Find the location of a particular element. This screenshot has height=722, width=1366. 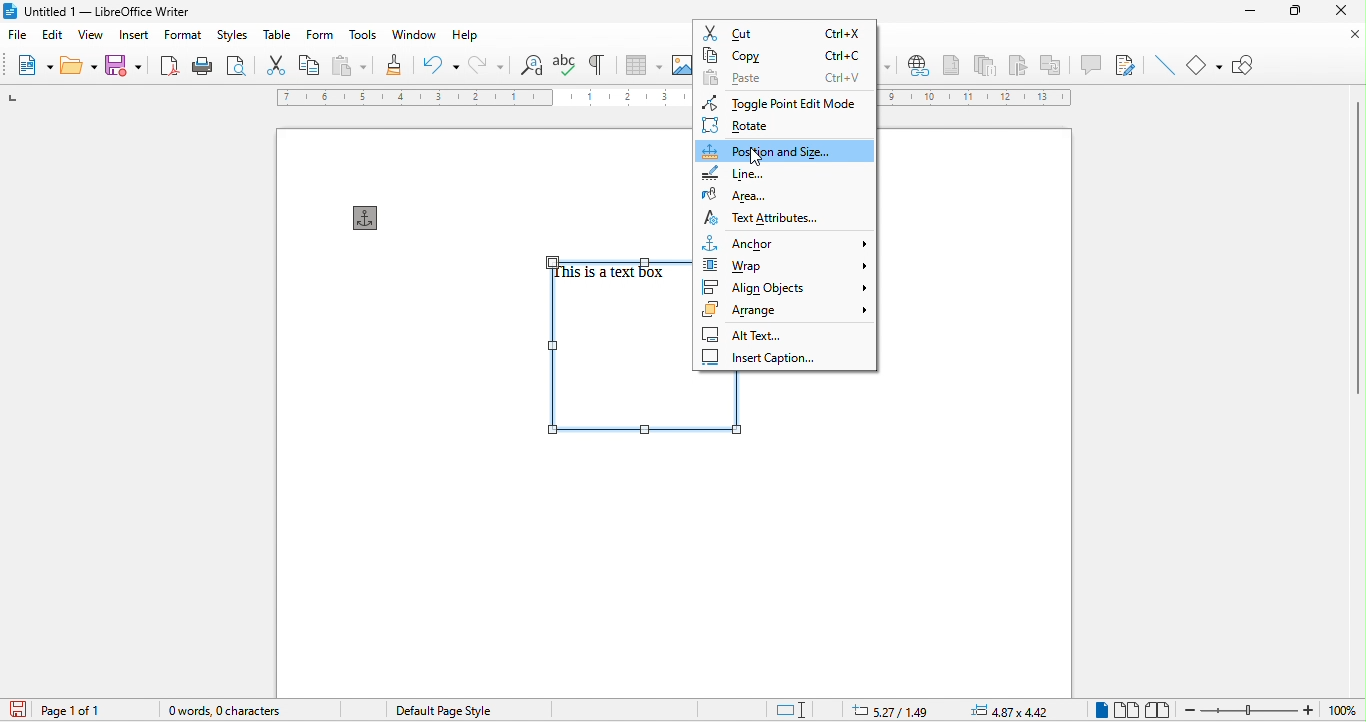

copy is located at coordinates (786, 31).